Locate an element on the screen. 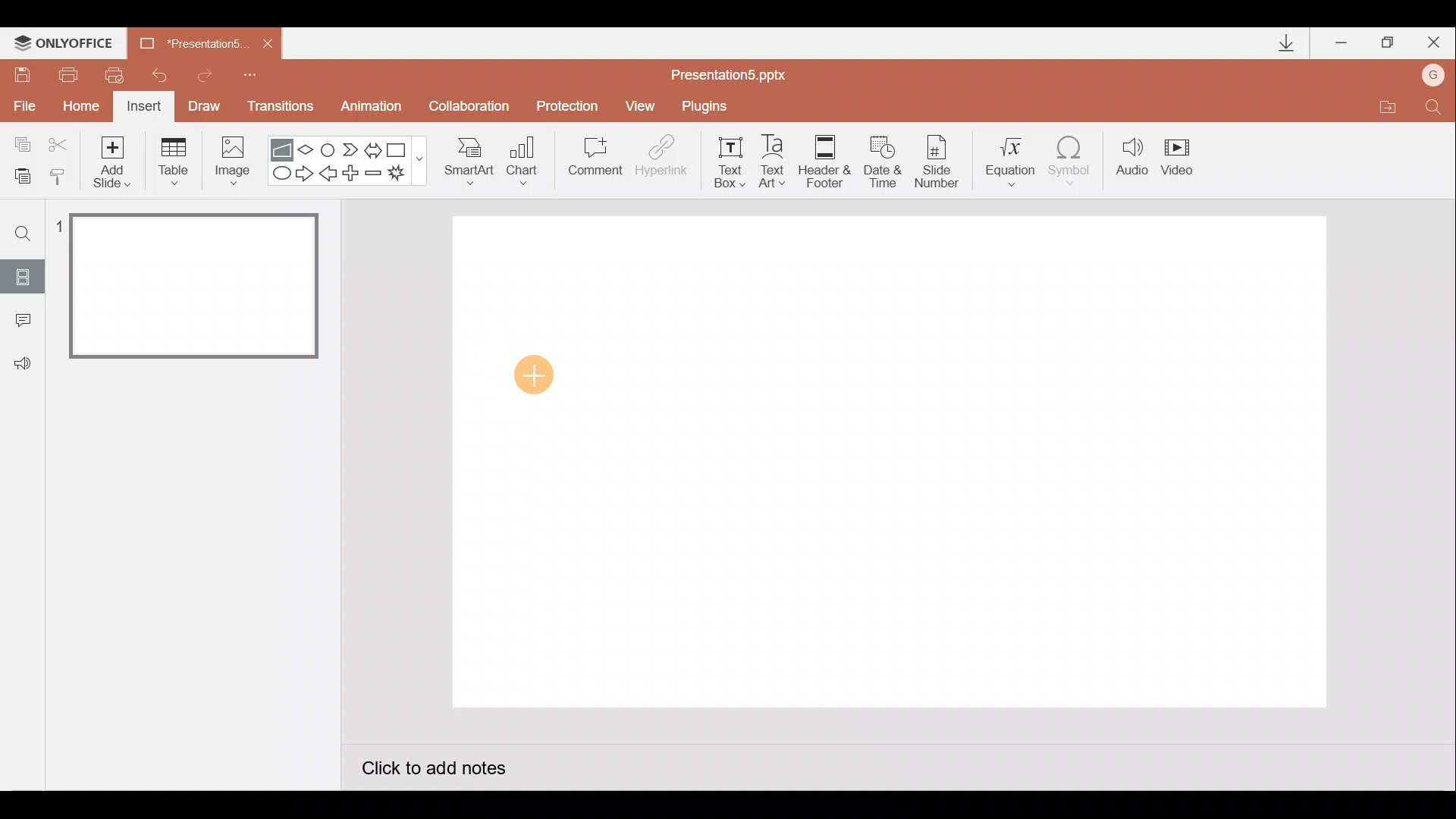  Feedback & support is located at coordinates (24, 362).